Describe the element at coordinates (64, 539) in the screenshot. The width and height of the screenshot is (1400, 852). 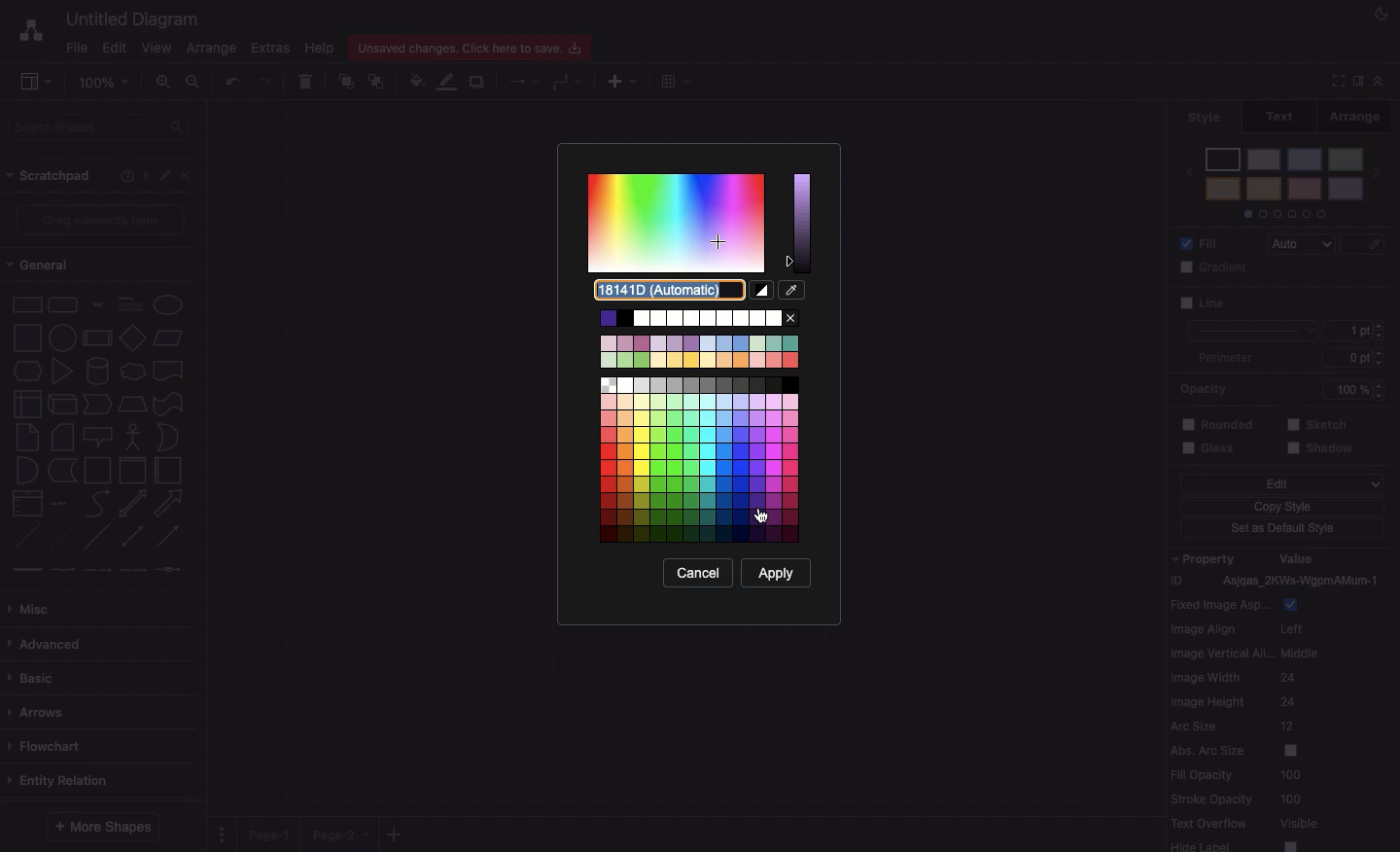
I see `dotted line` at that location.